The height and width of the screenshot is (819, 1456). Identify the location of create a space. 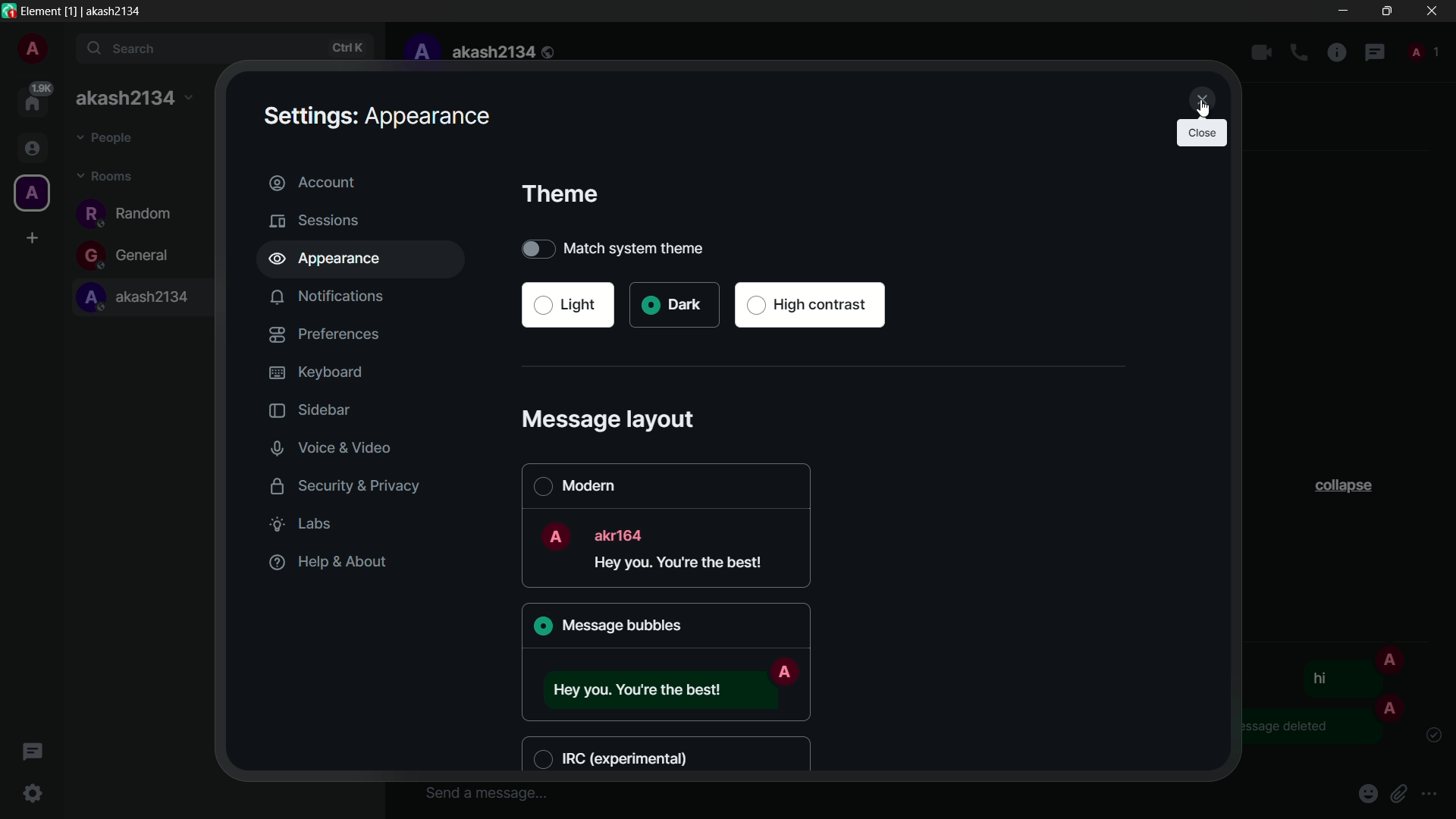
(33, 238).